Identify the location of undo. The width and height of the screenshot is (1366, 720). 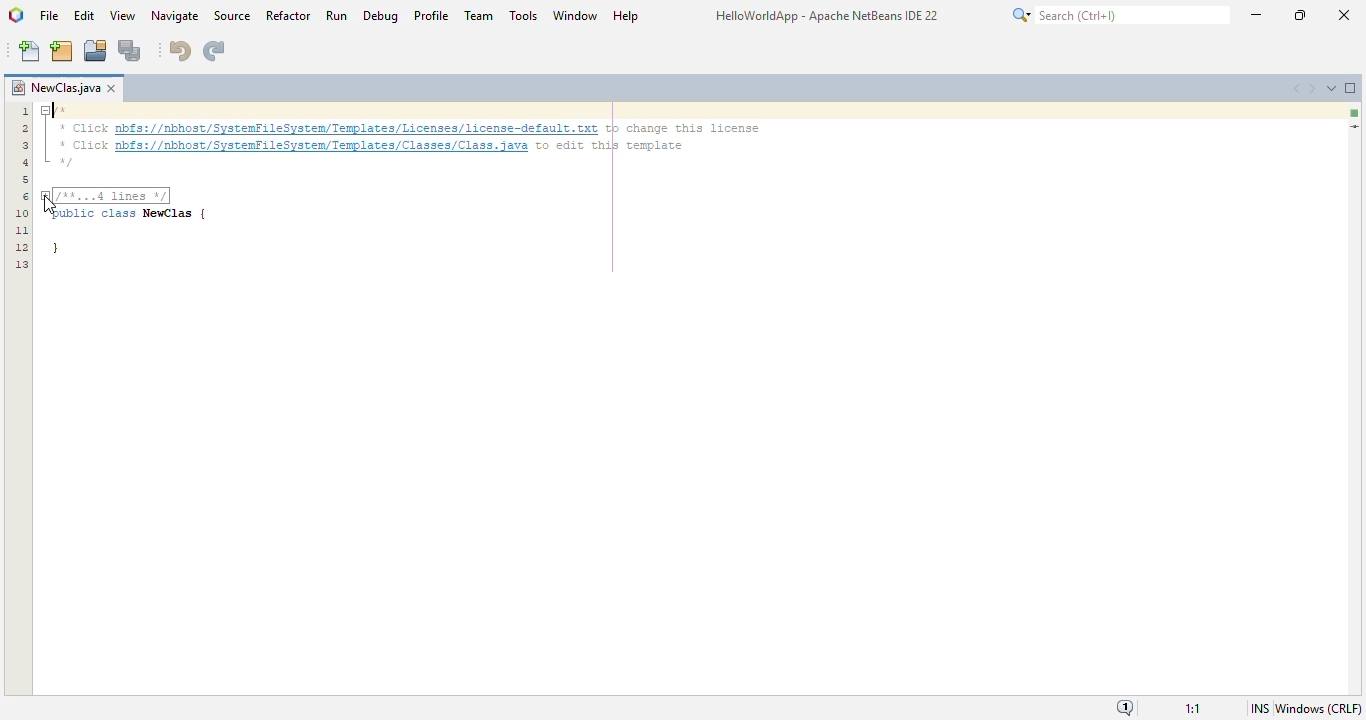
(180, 51).